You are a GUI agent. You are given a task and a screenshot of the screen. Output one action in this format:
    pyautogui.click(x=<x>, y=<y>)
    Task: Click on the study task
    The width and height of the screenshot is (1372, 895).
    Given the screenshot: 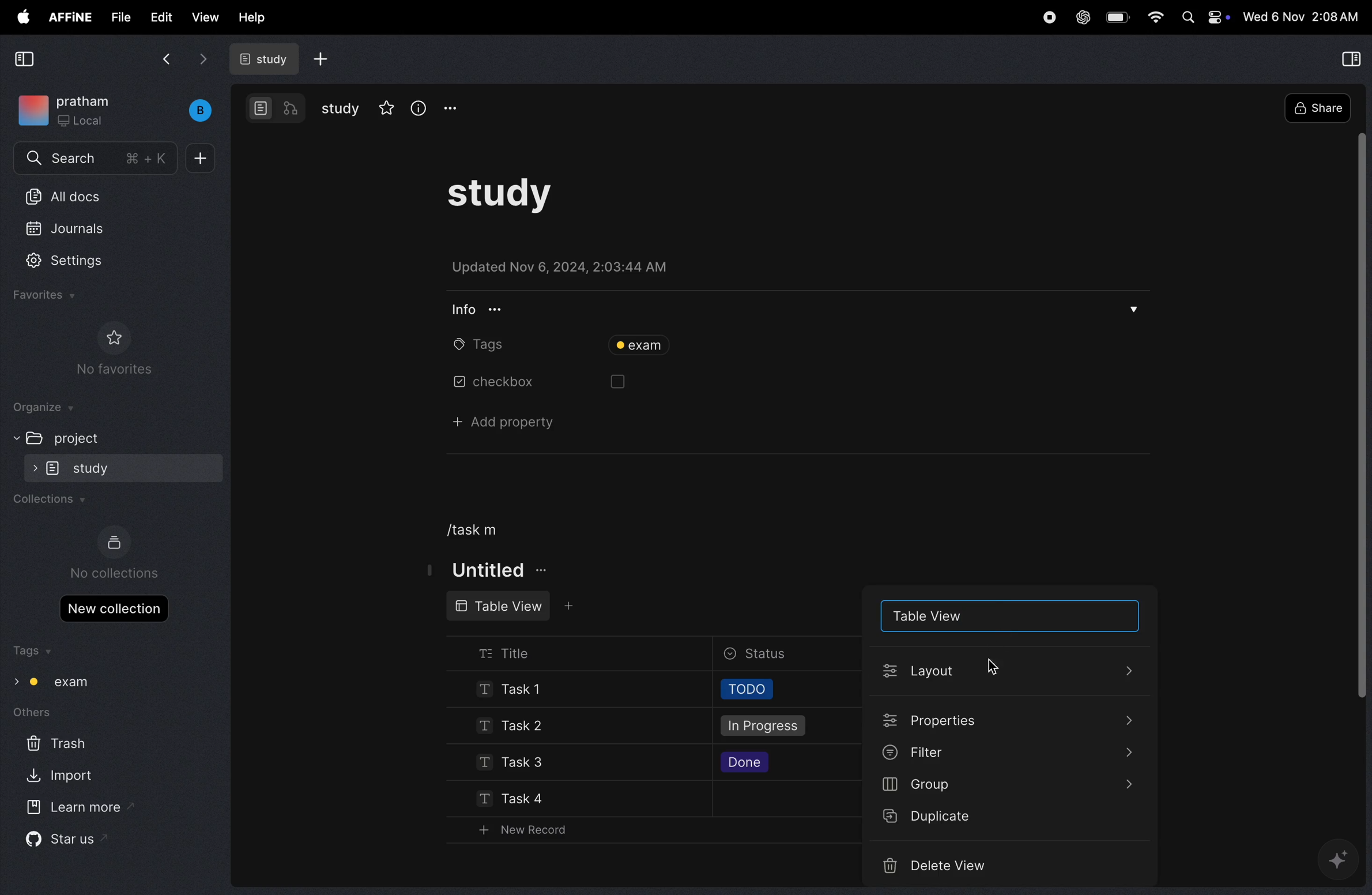 What is the action you would take?
    pyautogui.click(x=518, y=194)
    